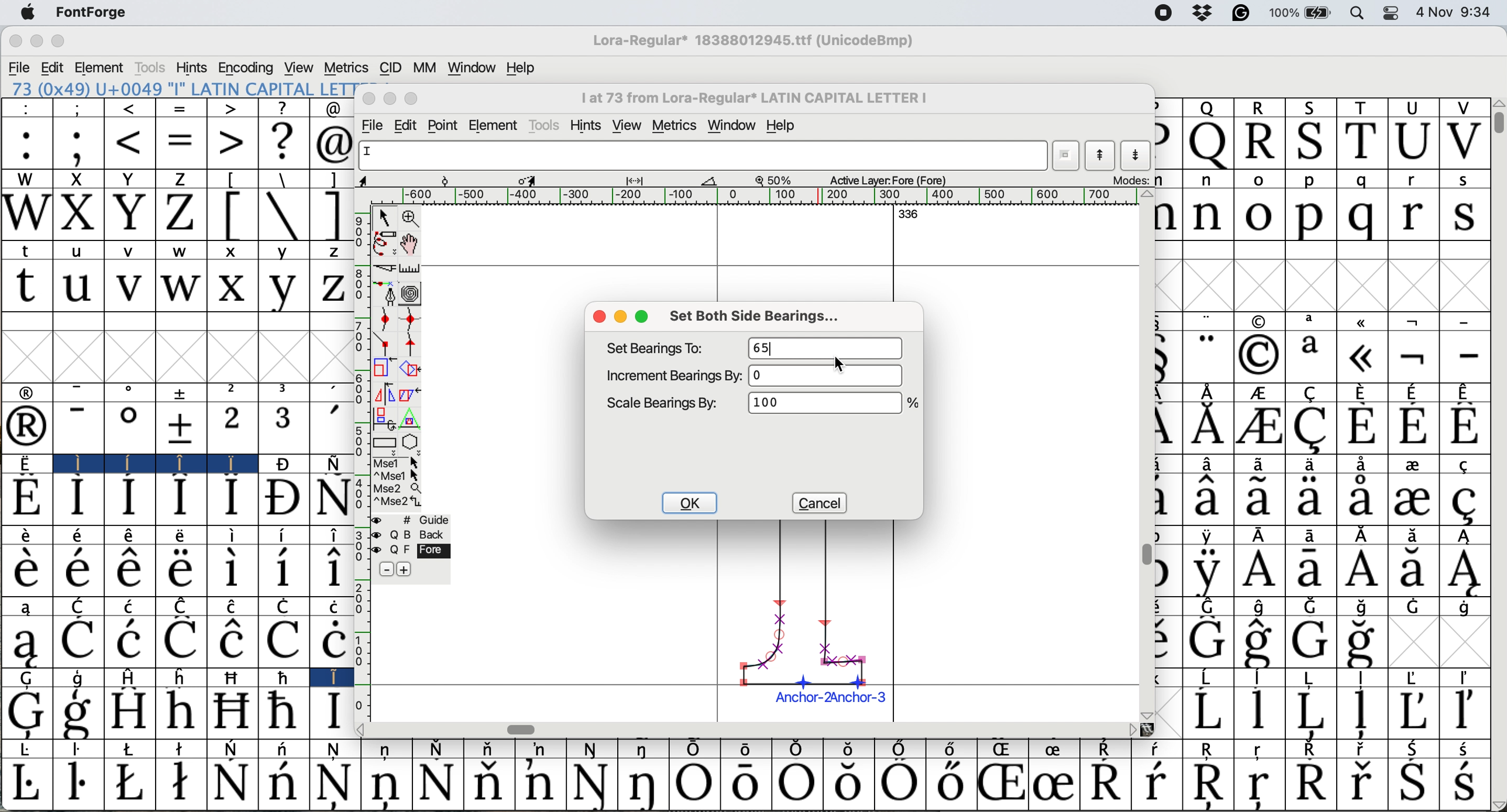 This screenshot has height=812, width=1507. I want to click on X, so click(77, 179).